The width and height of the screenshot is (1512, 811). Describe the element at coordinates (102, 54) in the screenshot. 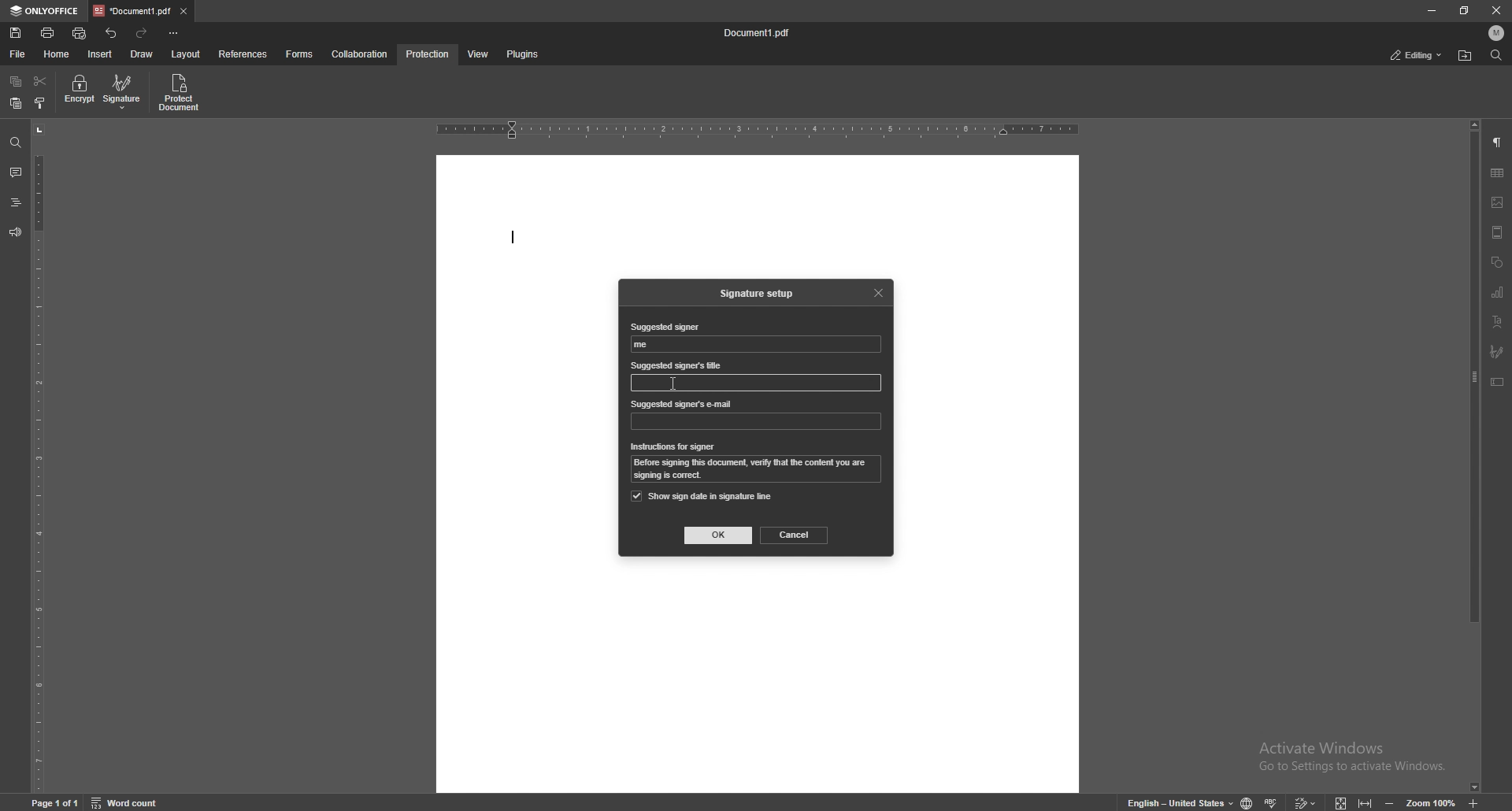

I see `insert` at that location.